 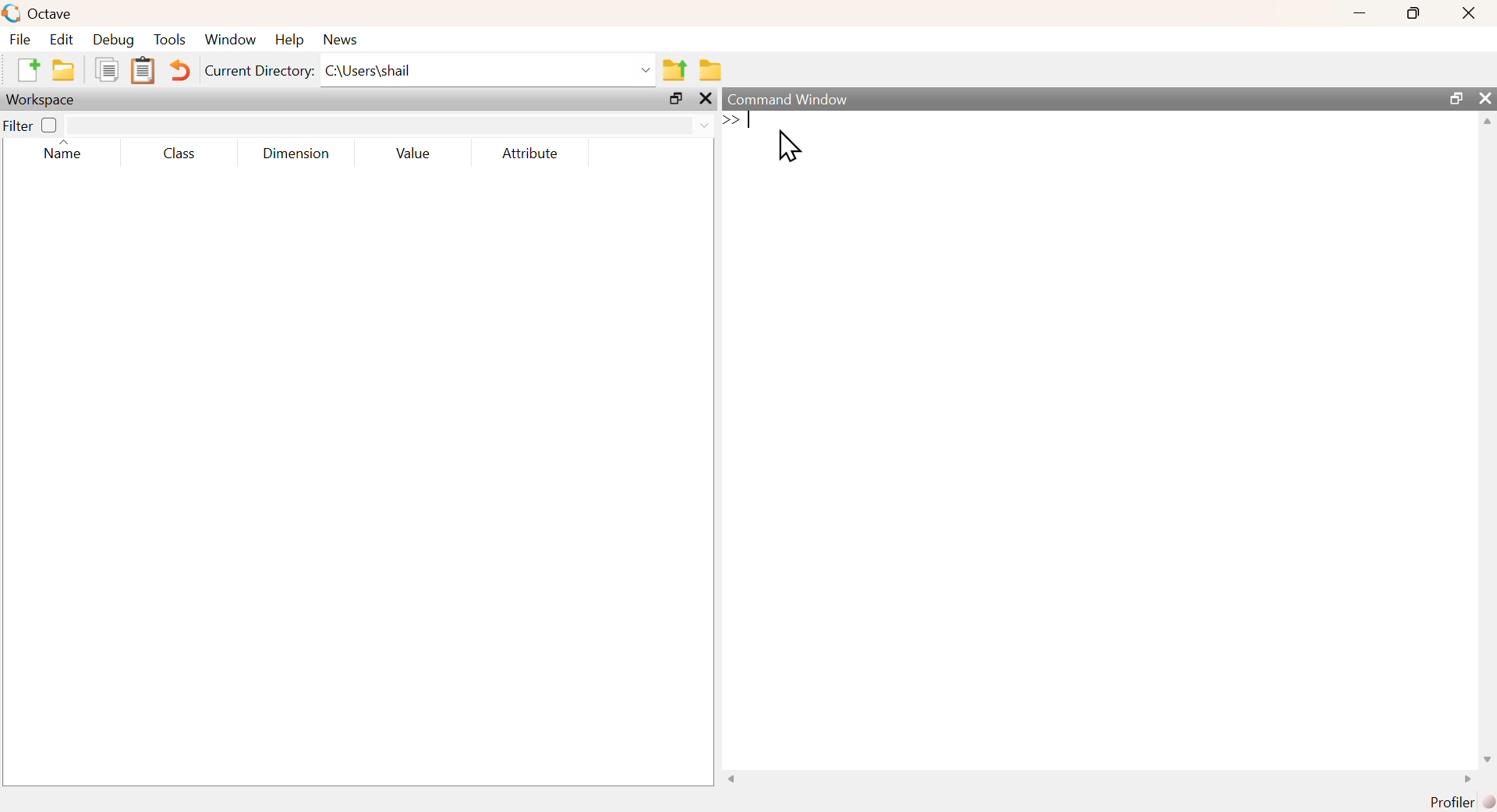 What do you see at coordinates (176, 152) in the screenshot?
I see `Class` at bounding box center [176, 152].